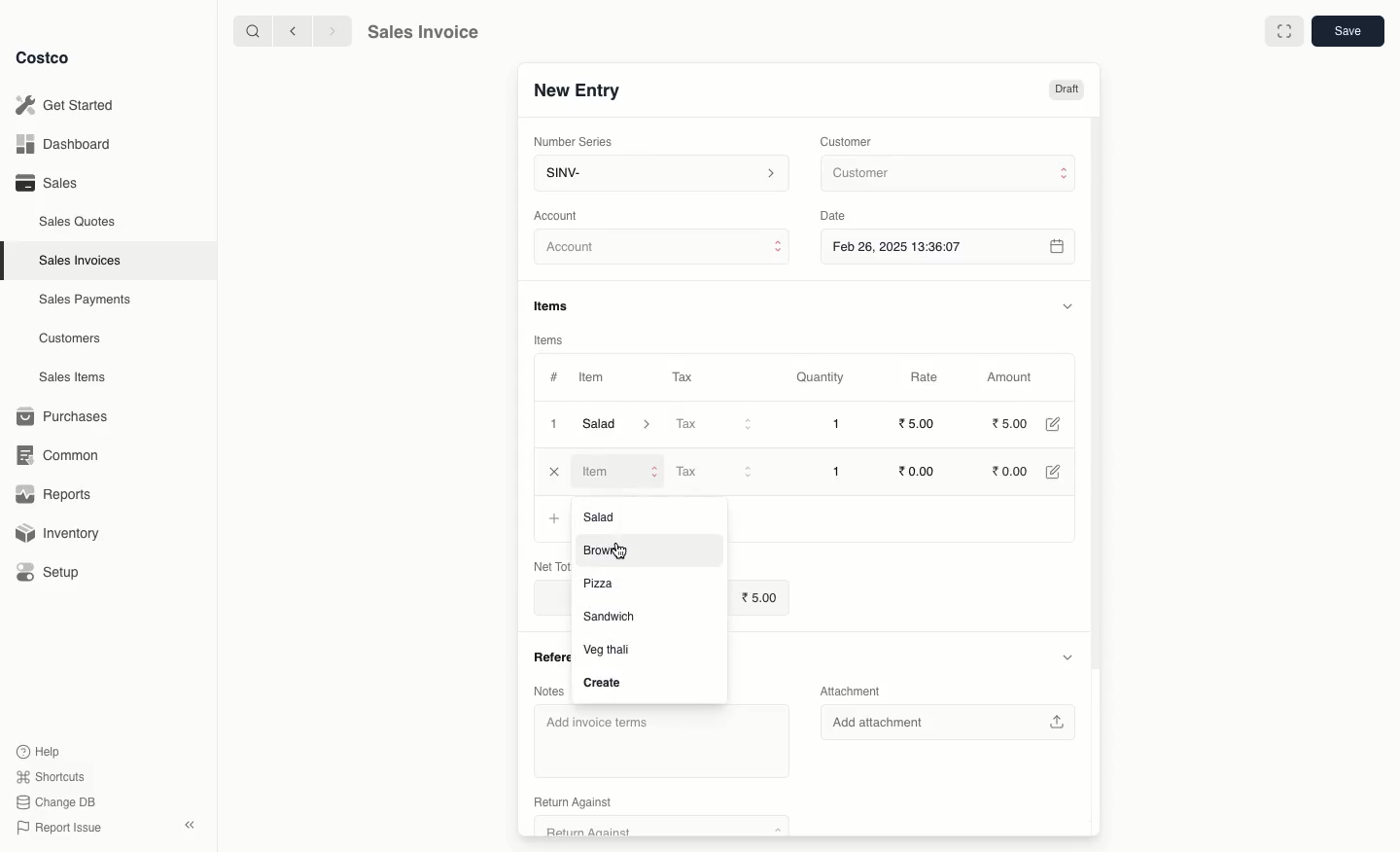 The image size is (1400, 852). Describe the element at coordinates (657, 804) in the screenshot. I see `Return Against` at that location.